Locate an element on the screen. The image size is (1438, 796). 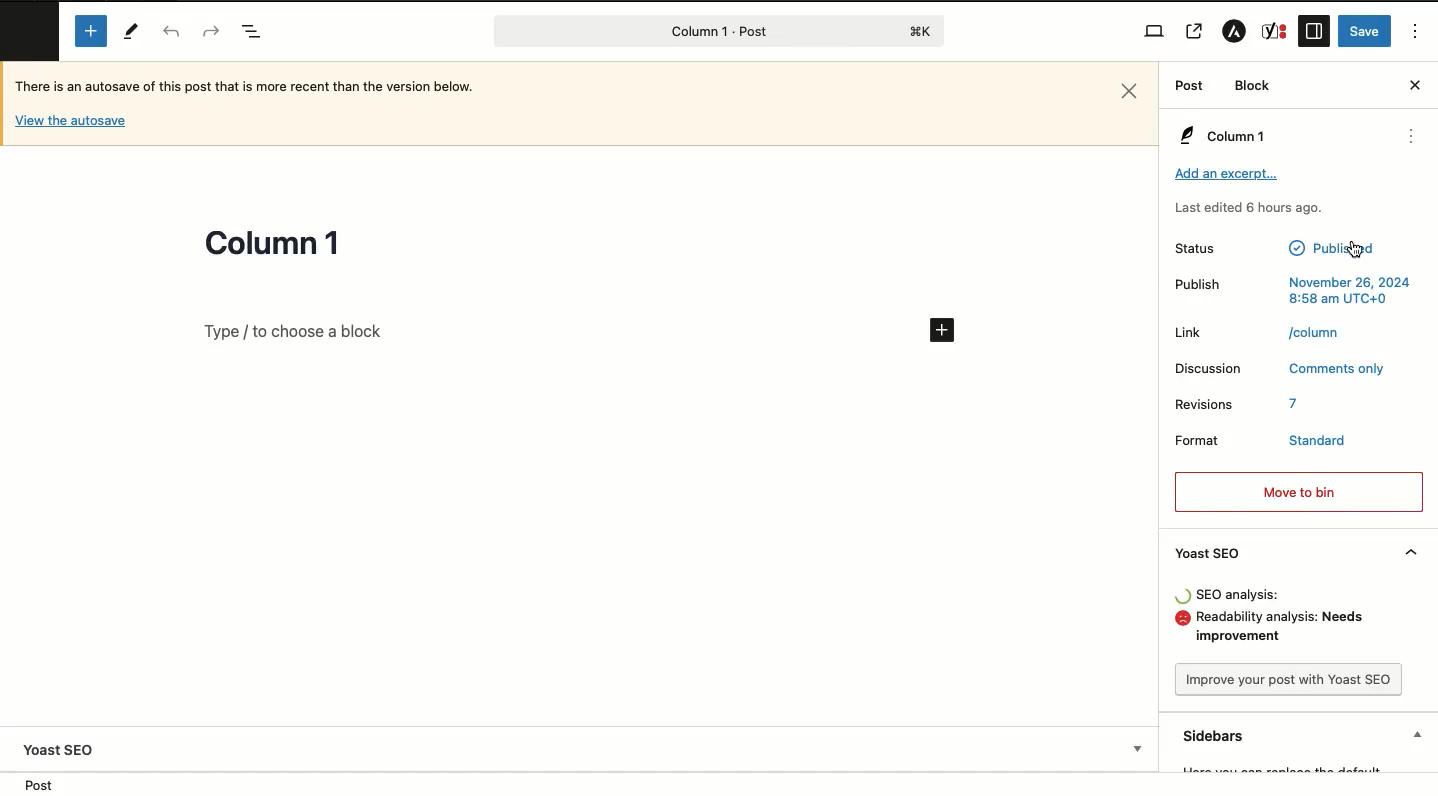
Autosave is located at coordinates (260, 90).